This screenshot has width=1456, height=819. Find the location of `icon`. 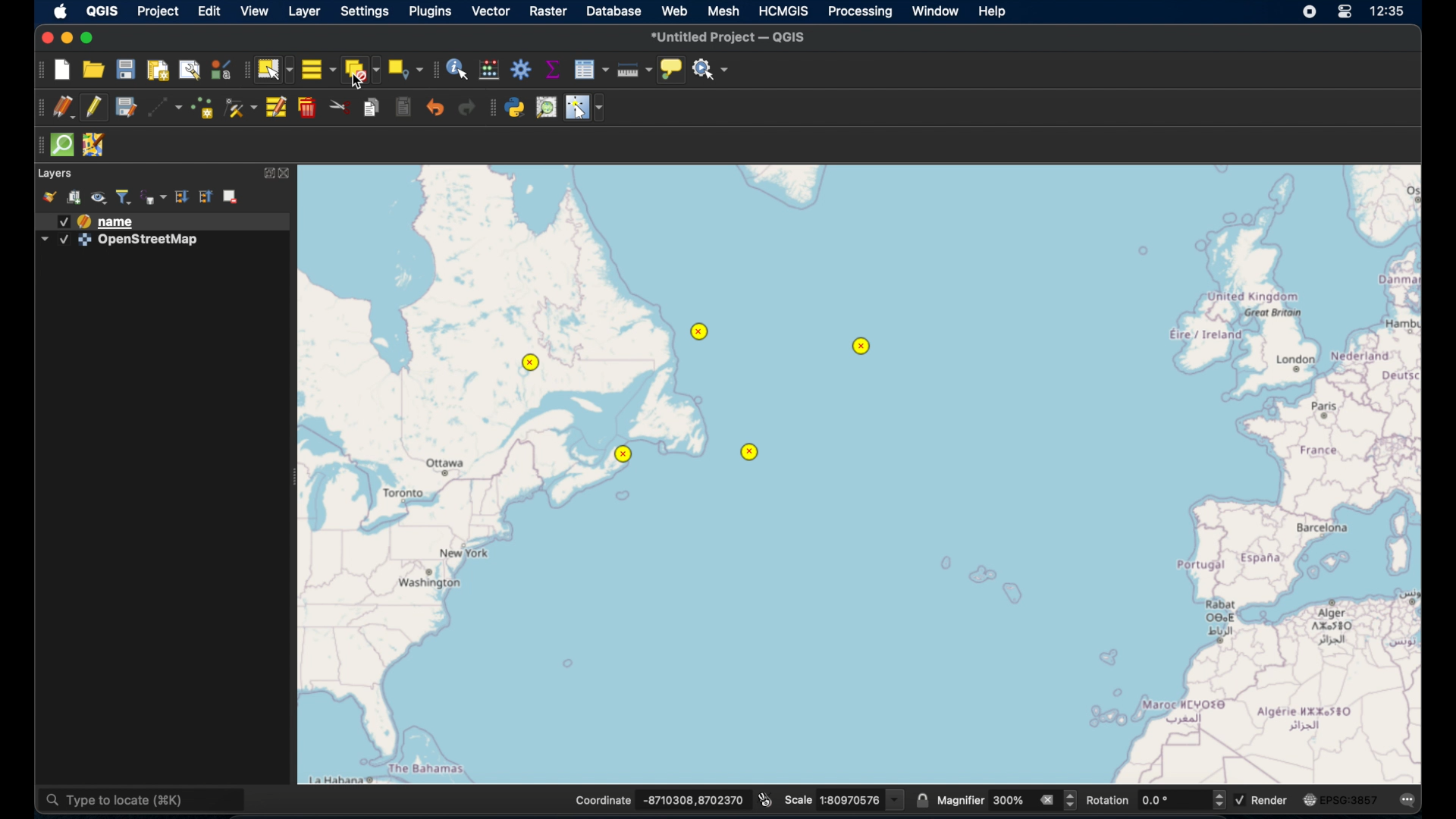

icon is located at coordinates (84, 240).